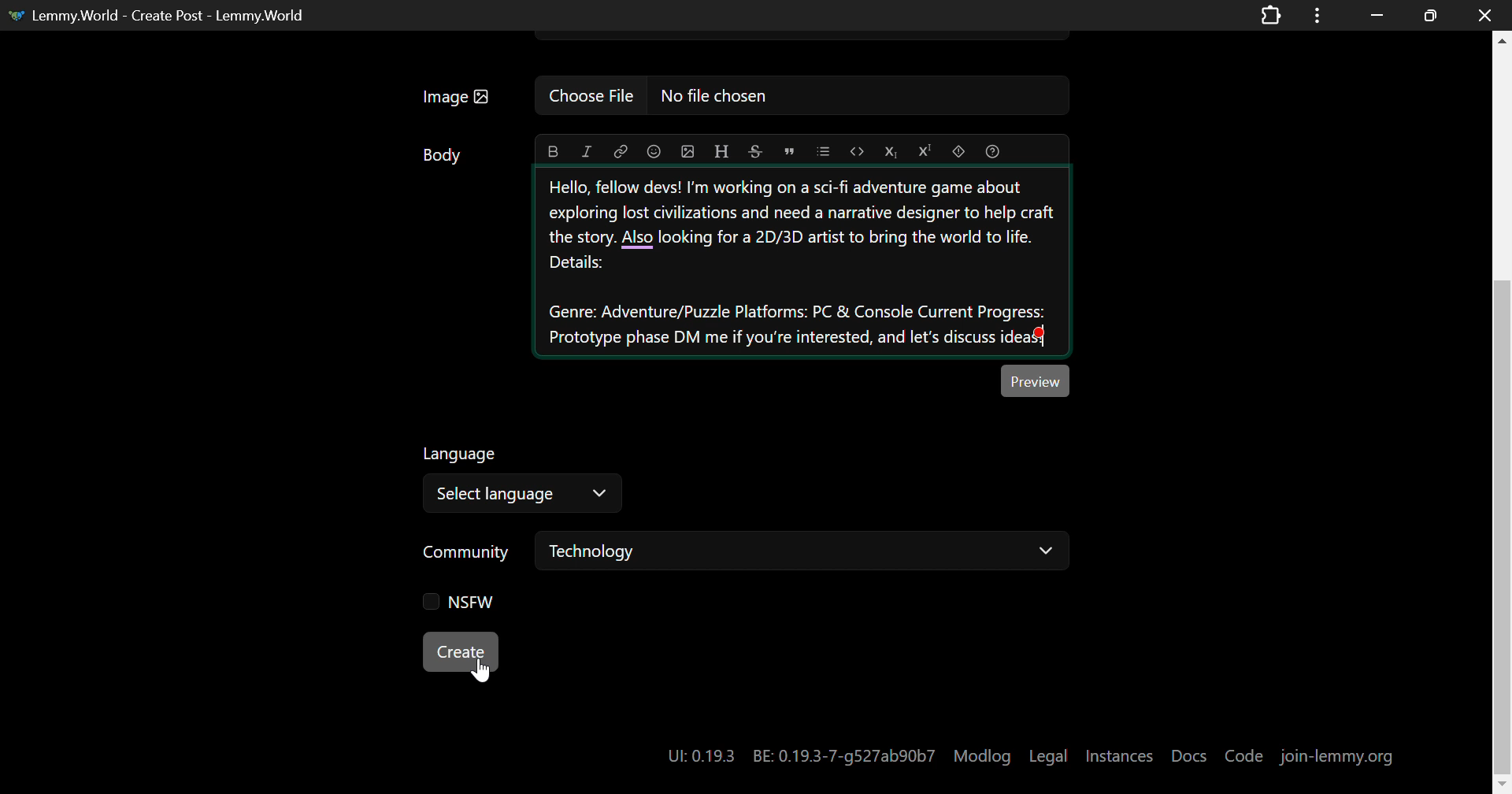  What do you see at coordinates (686, 150) in the screenshot?
I see `upload image` at bounding box center [686, 150].